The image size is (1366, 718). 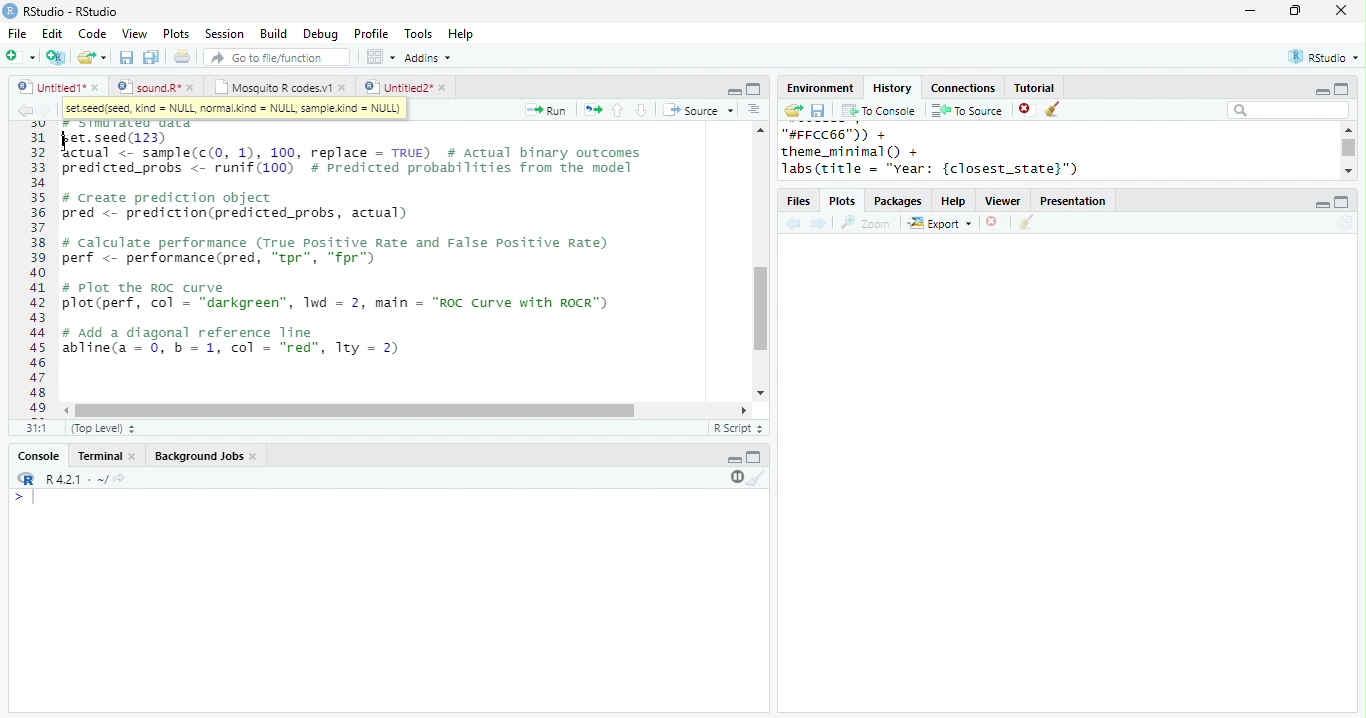 What do you see at coordinates (234, 109) in the screenshot?
I see `set.seed(seed, Kind = NULL, normal.kind = NULL, sample.kind = NULL)` at bounding box center [234, 109].